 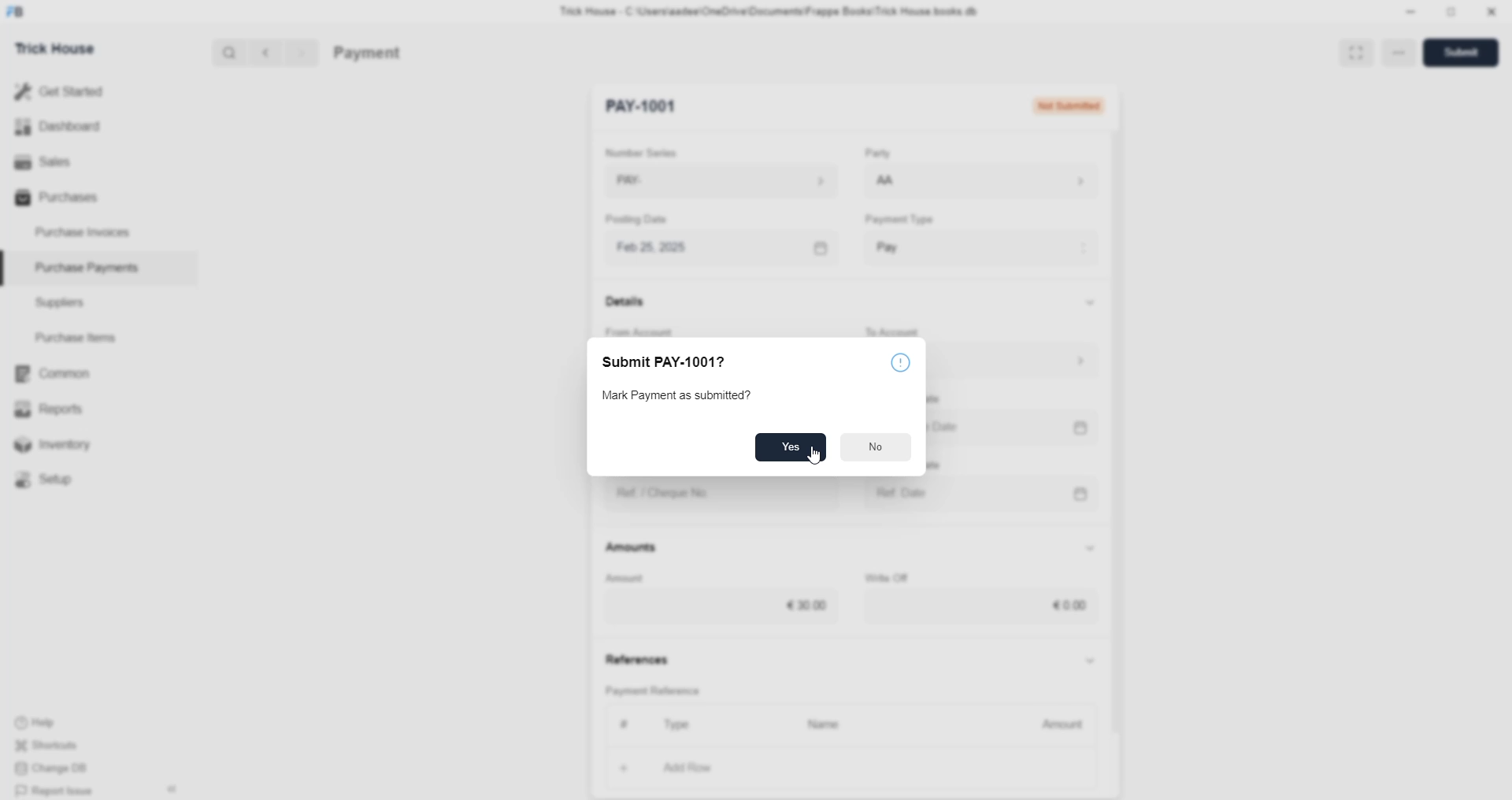 What do you see at coordinates (817, 457) in the screenshot?
I see `cursor` at bounding box center [817, 457].